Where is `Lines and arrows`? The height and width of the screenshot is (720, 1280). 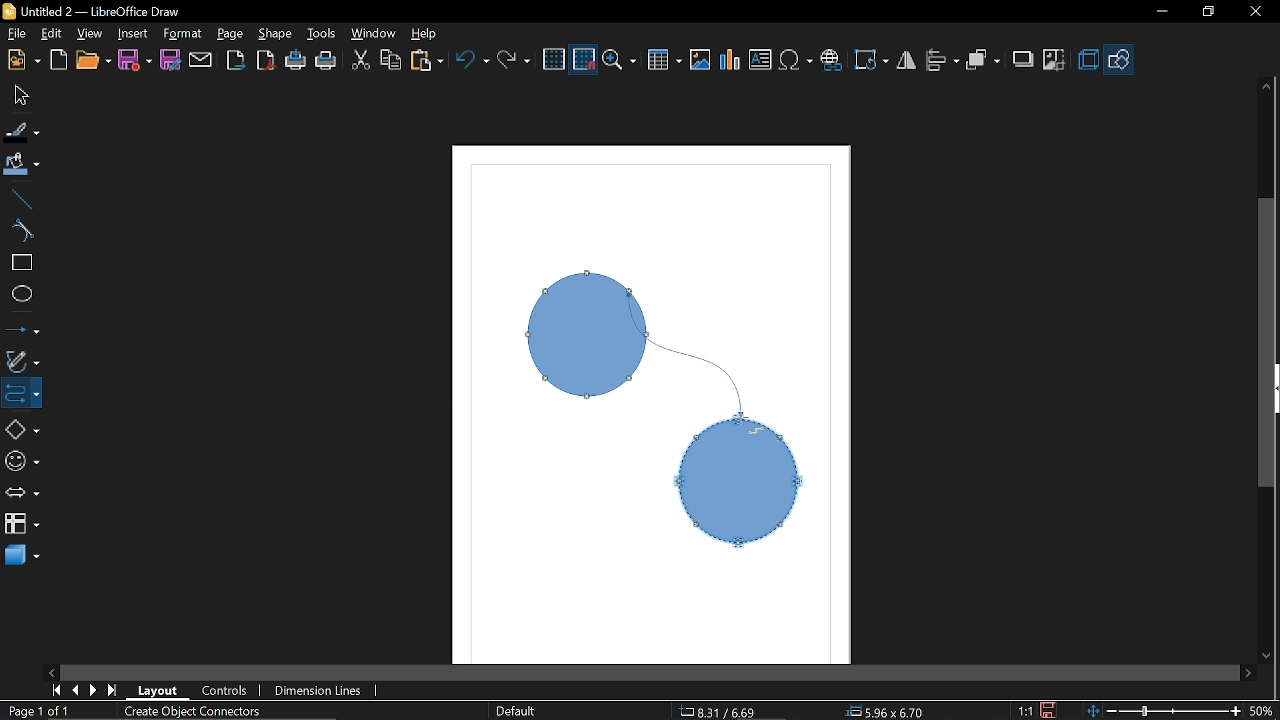
Lines and arrows is located at coordinates (22, 330).